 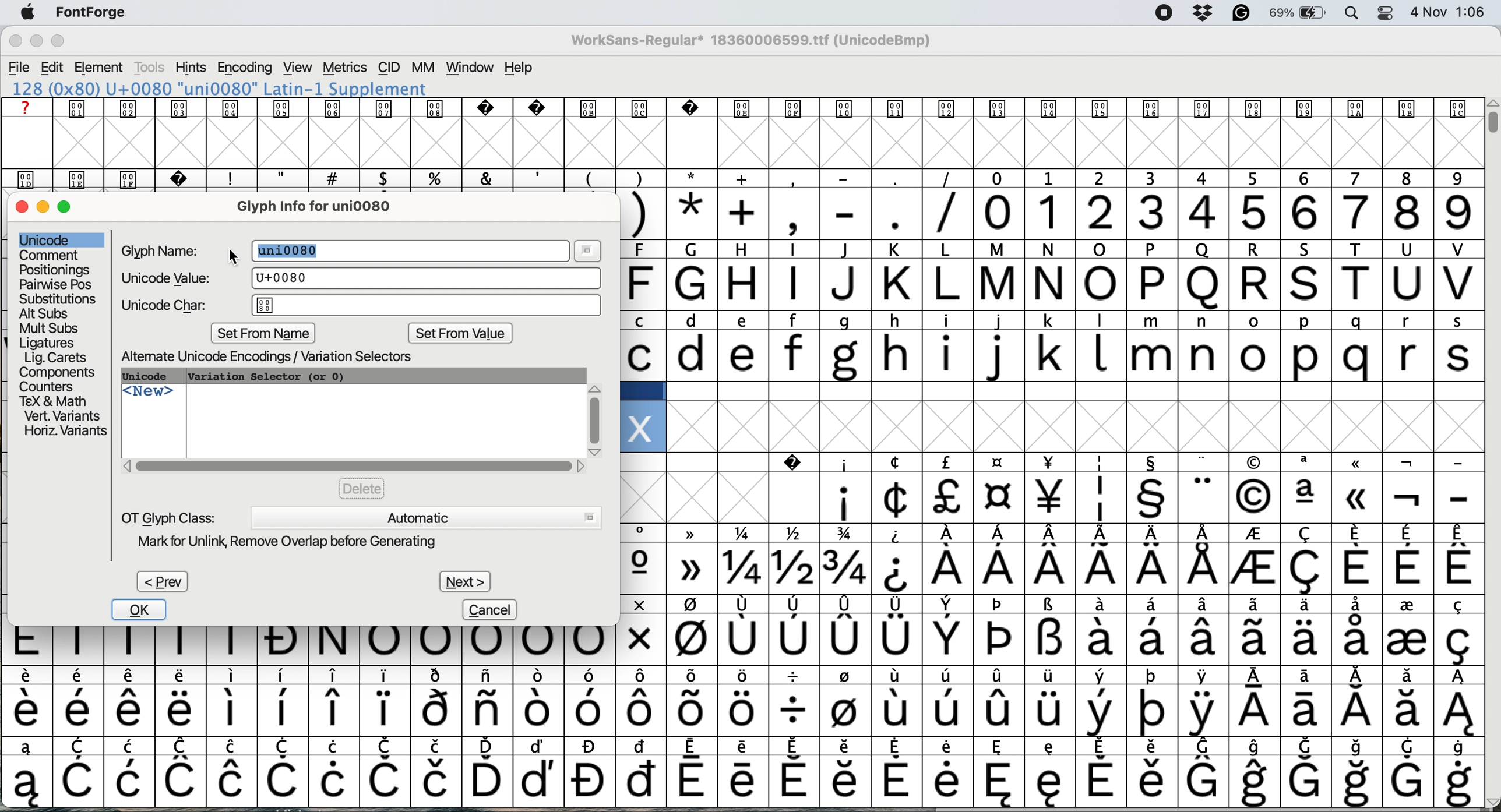 I want to click on view, so click(x=295, y=68).